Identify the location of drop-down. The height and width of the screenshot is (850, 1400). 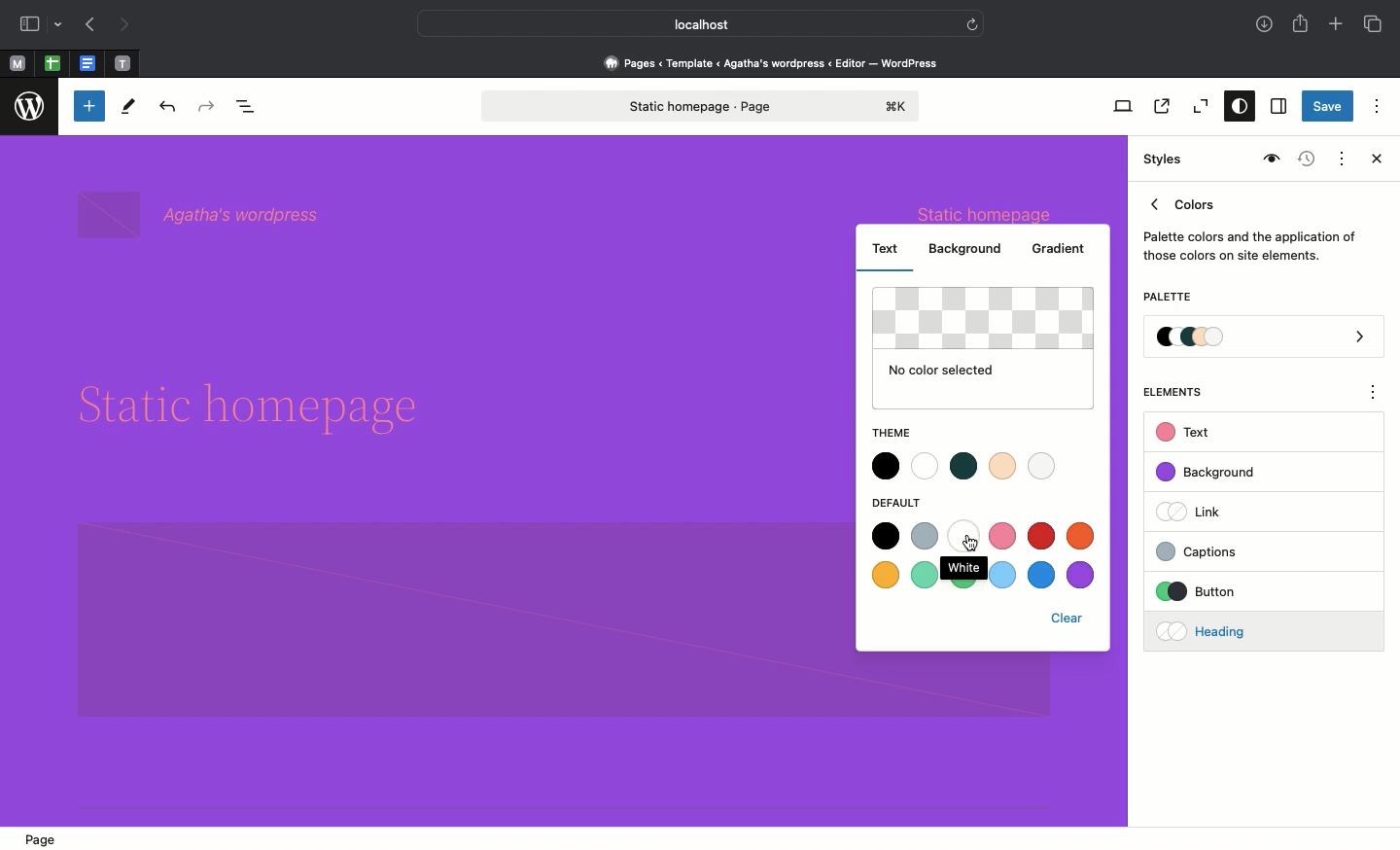
(61, 25).